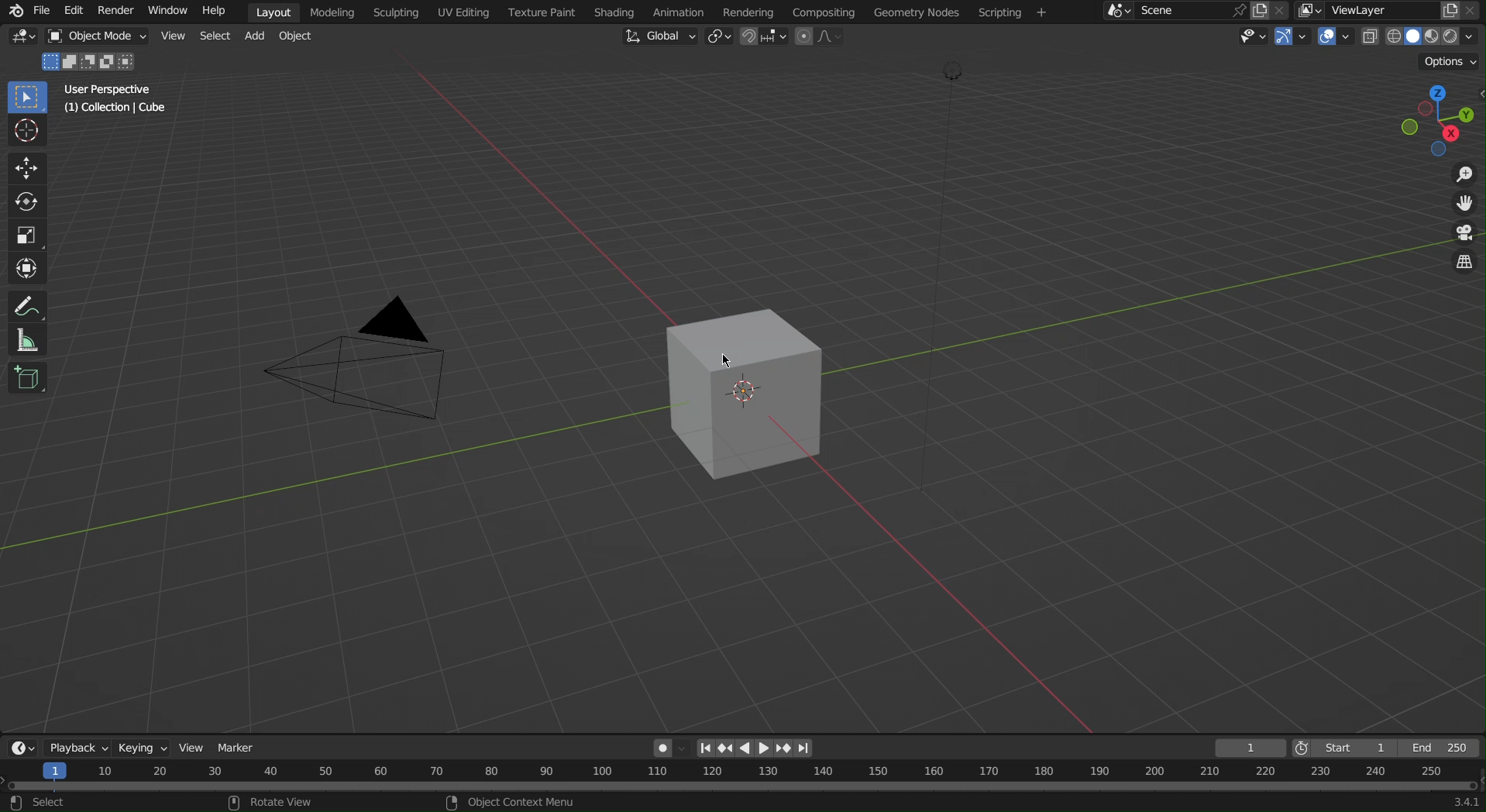 This screenshot has width=1486, height=812. What do you see at coordinates (1448, 60) in the screenshot?
I see `Options` at bounding box center [1448, 60].